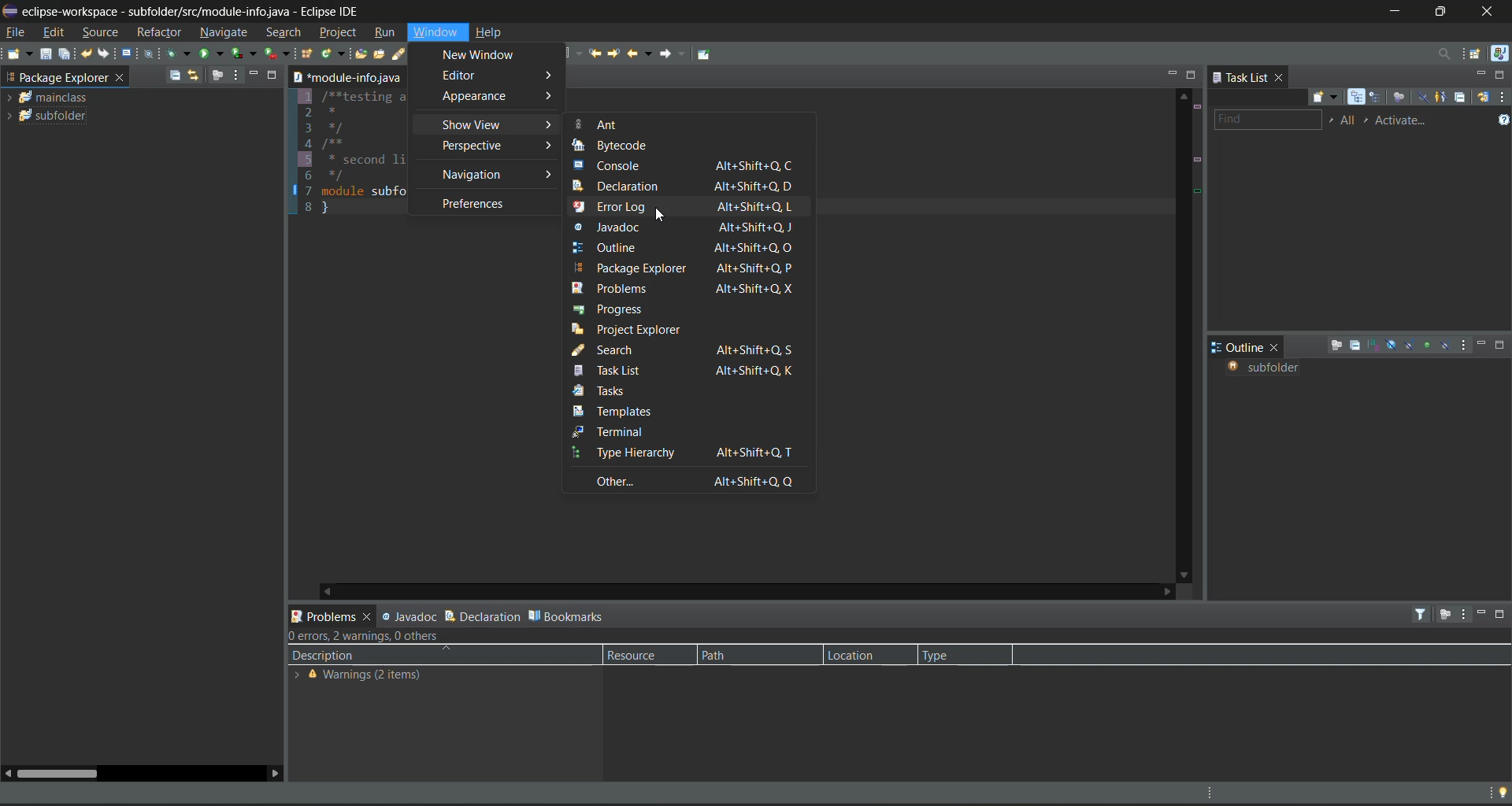 Image resolution: width=1512 pixels, height=806 pixels. I want to click on focus on work week, so click(1401, 98).